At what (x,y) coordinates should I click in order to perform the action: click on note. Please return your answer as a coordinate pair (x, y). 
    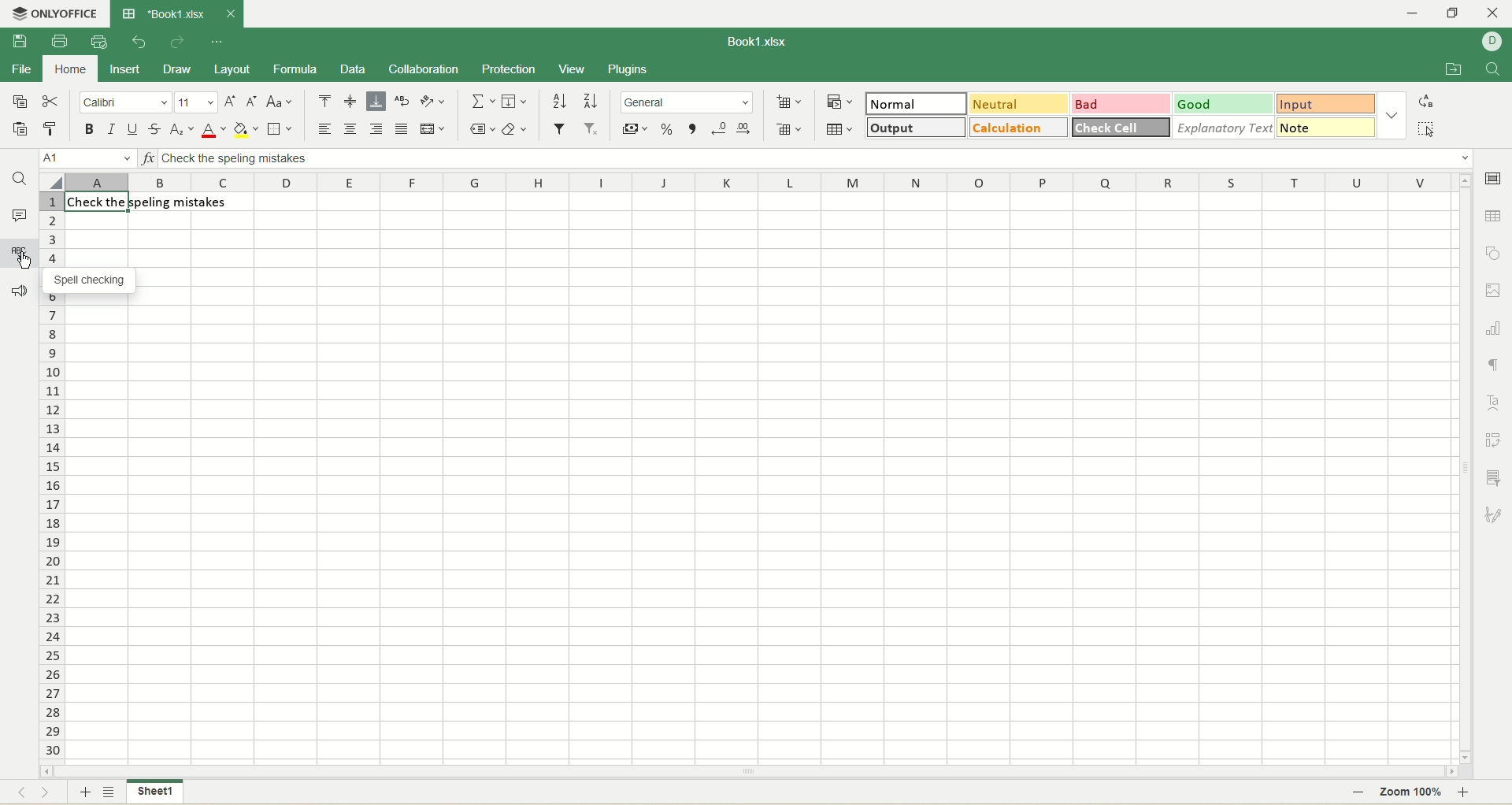
    Looking at the image, I should click on (1325, 128).